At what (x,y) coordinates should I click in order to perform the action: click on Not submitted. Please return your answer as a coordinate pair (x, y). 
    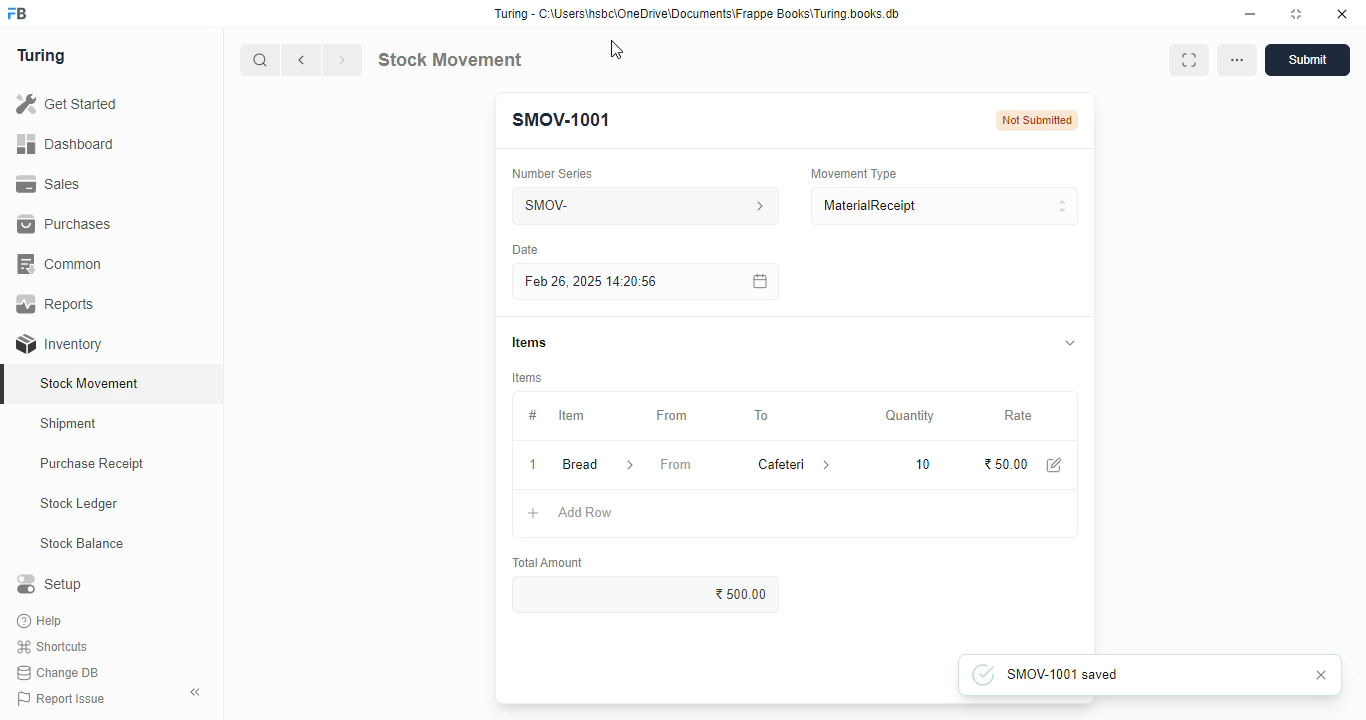
    Looking at the image, I should click on (1036, 120).